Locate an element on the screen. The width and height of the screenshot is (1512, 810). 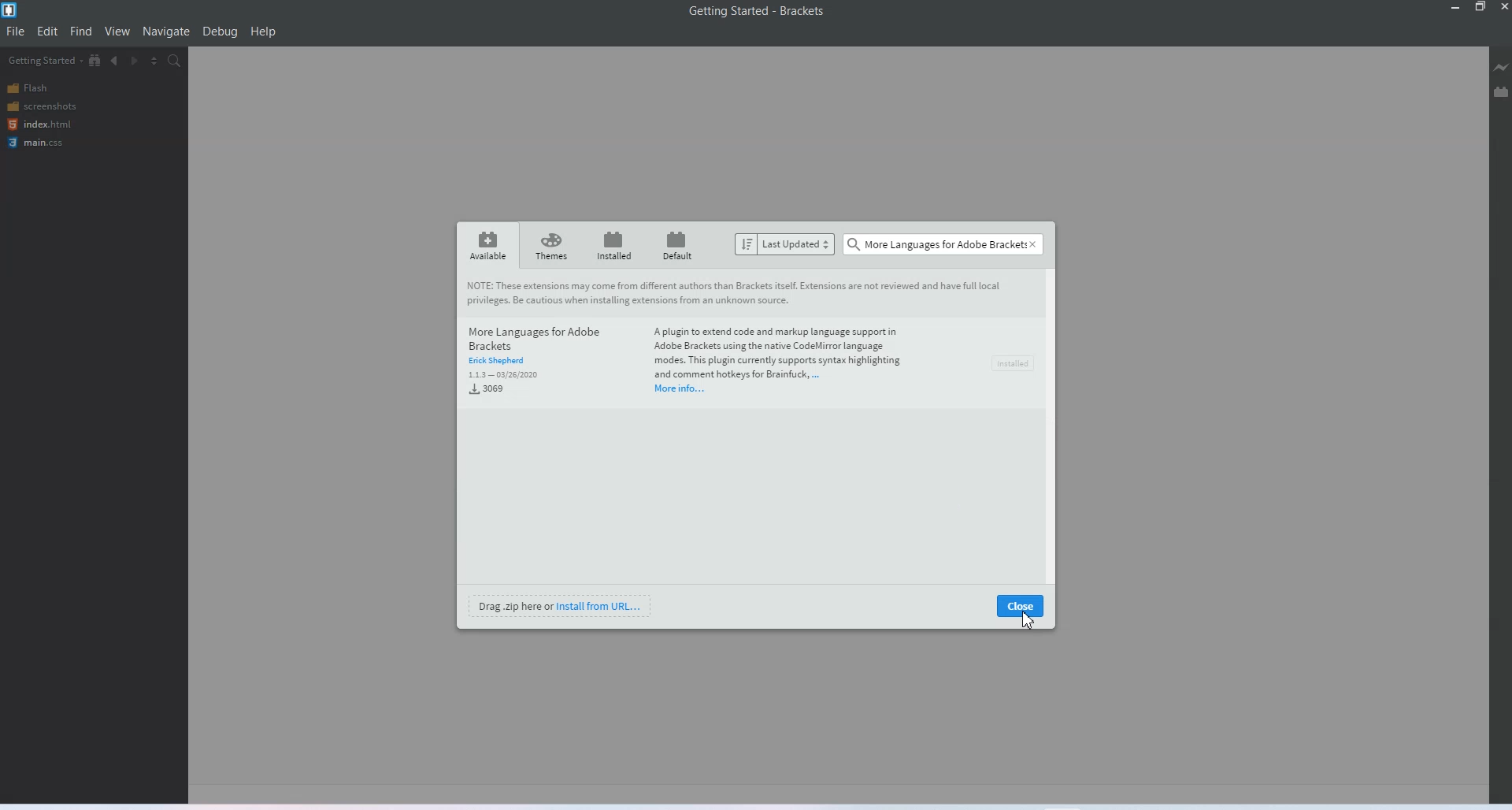
Flash is located at coordinates (53, 88).